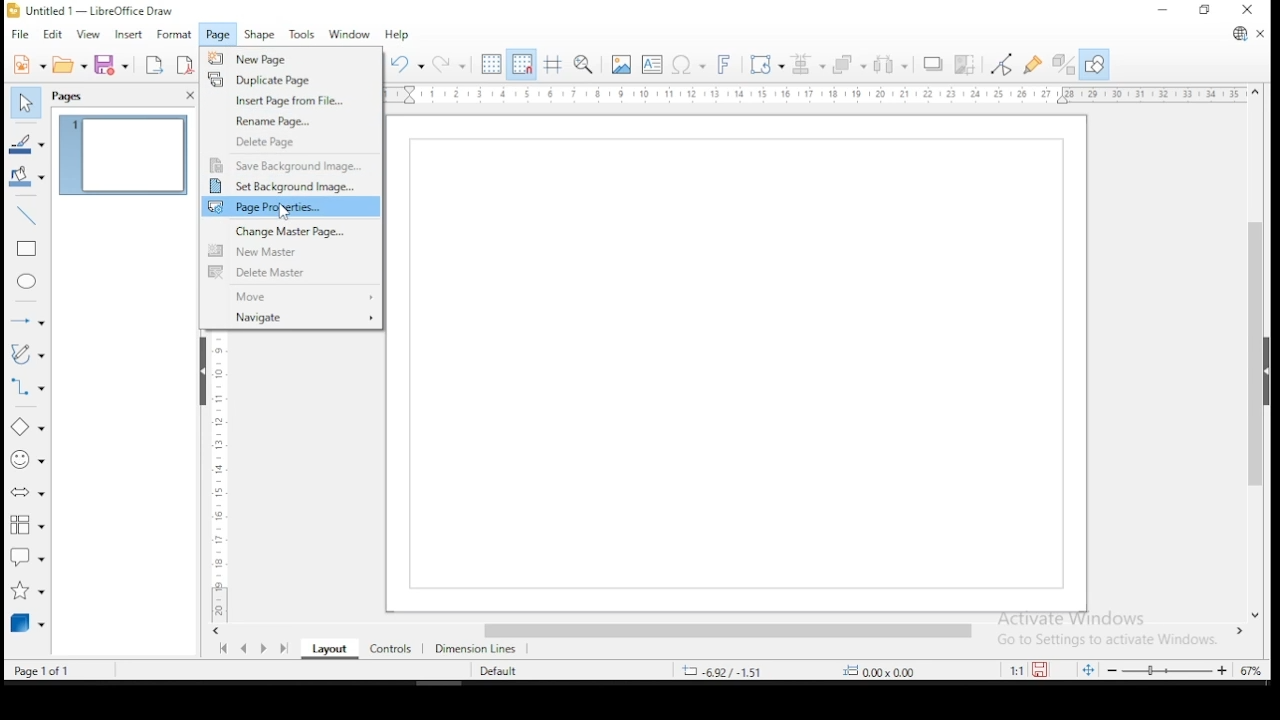 This screenshot has height=720, width=1280. Describe the element at coordinates (26, 142) in the screenshot. I see `line color` at that location.